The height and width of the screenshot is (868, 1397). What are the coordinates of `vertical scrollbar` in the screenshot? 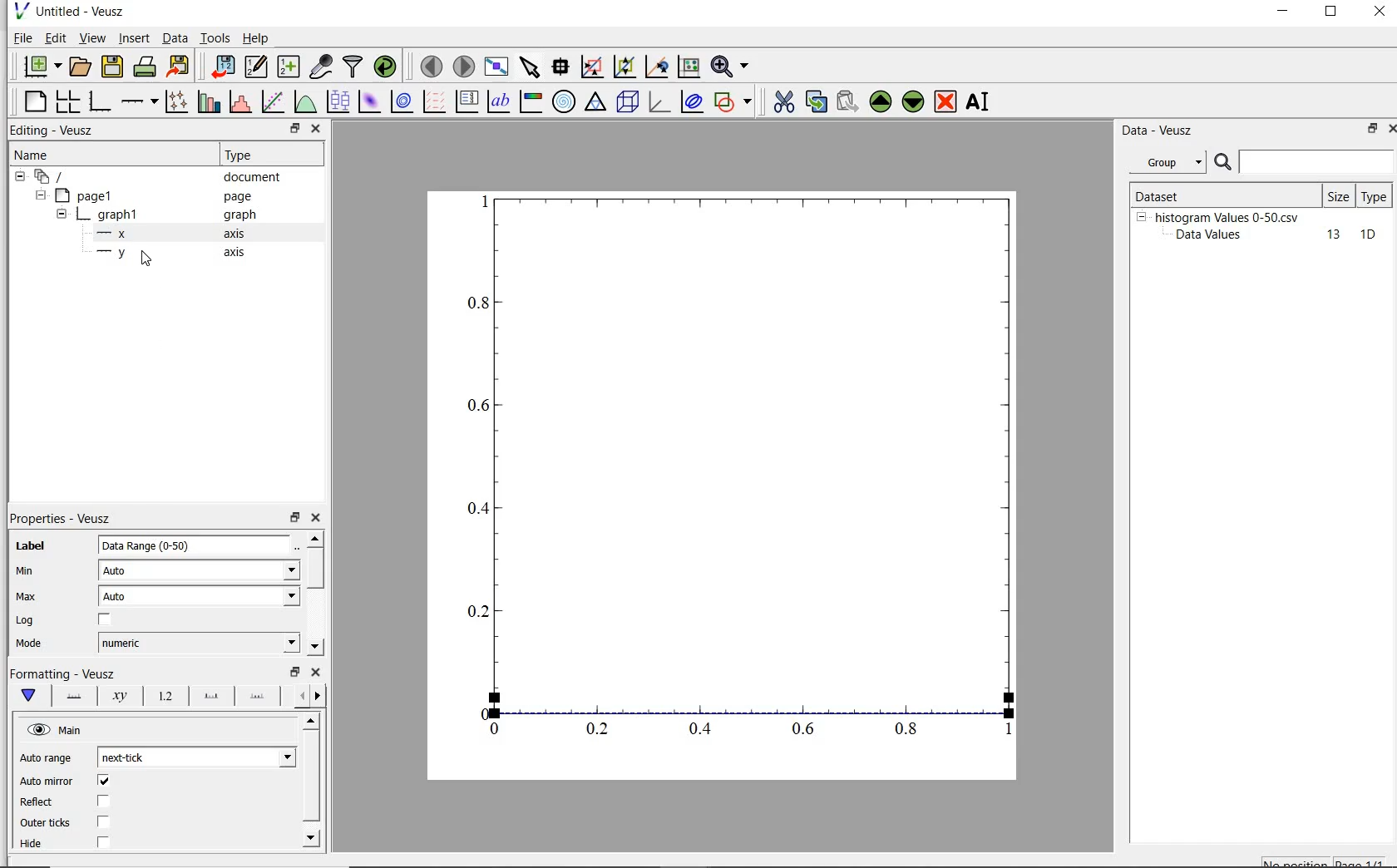 It's located at (314, 568).